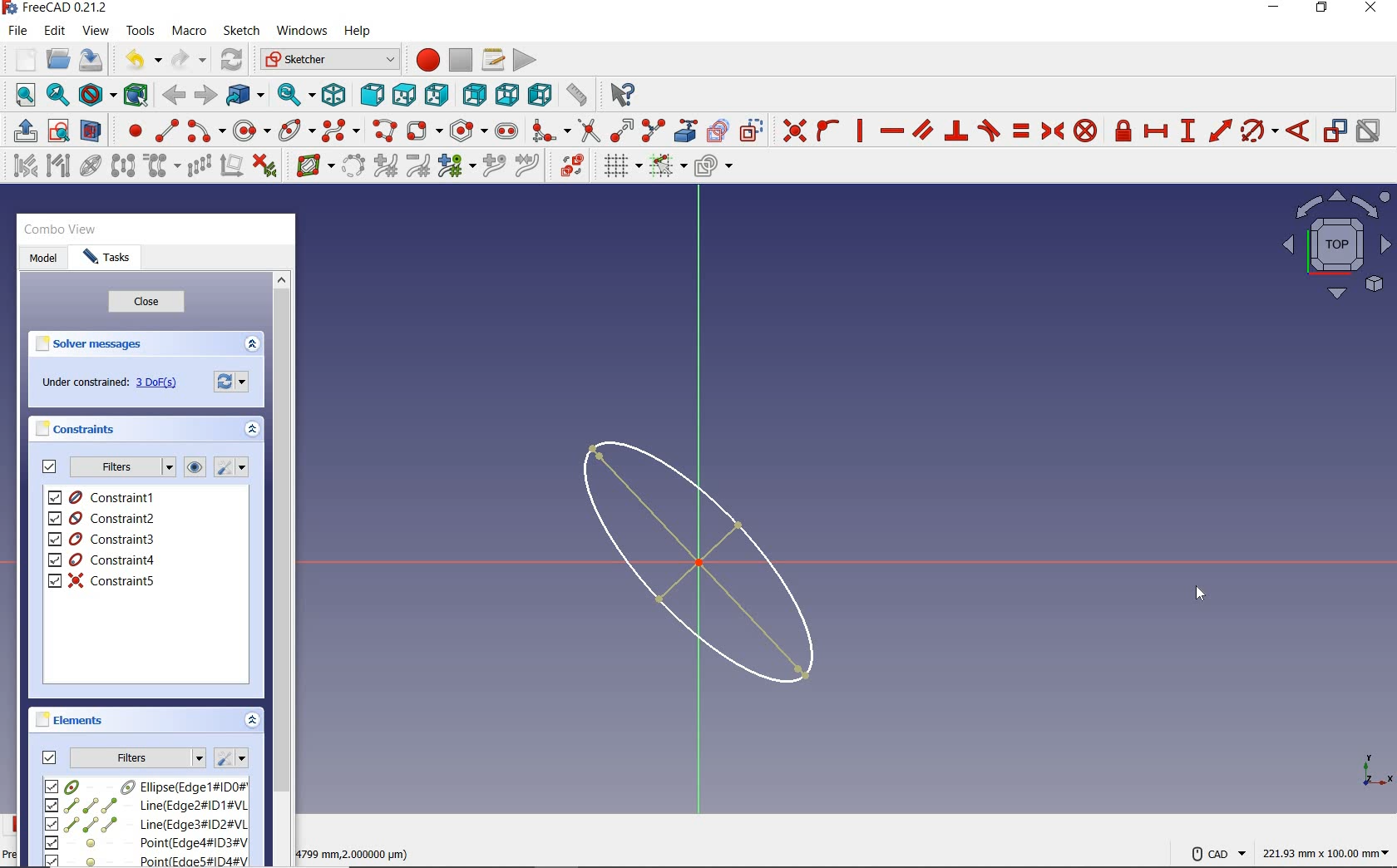 This screenshot has height=868, width=1397. I want to click on file, so click(17, 31).